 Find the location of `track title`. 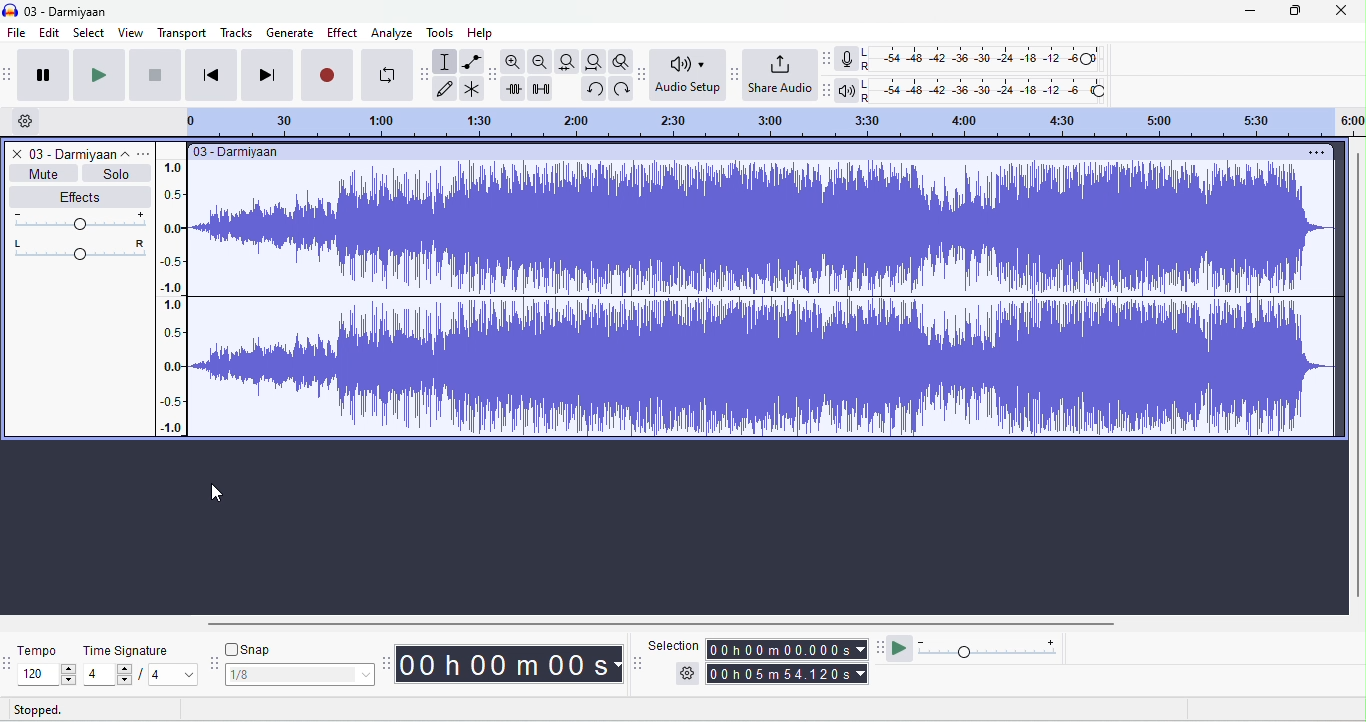

track title is located at coordinates (83, 154).